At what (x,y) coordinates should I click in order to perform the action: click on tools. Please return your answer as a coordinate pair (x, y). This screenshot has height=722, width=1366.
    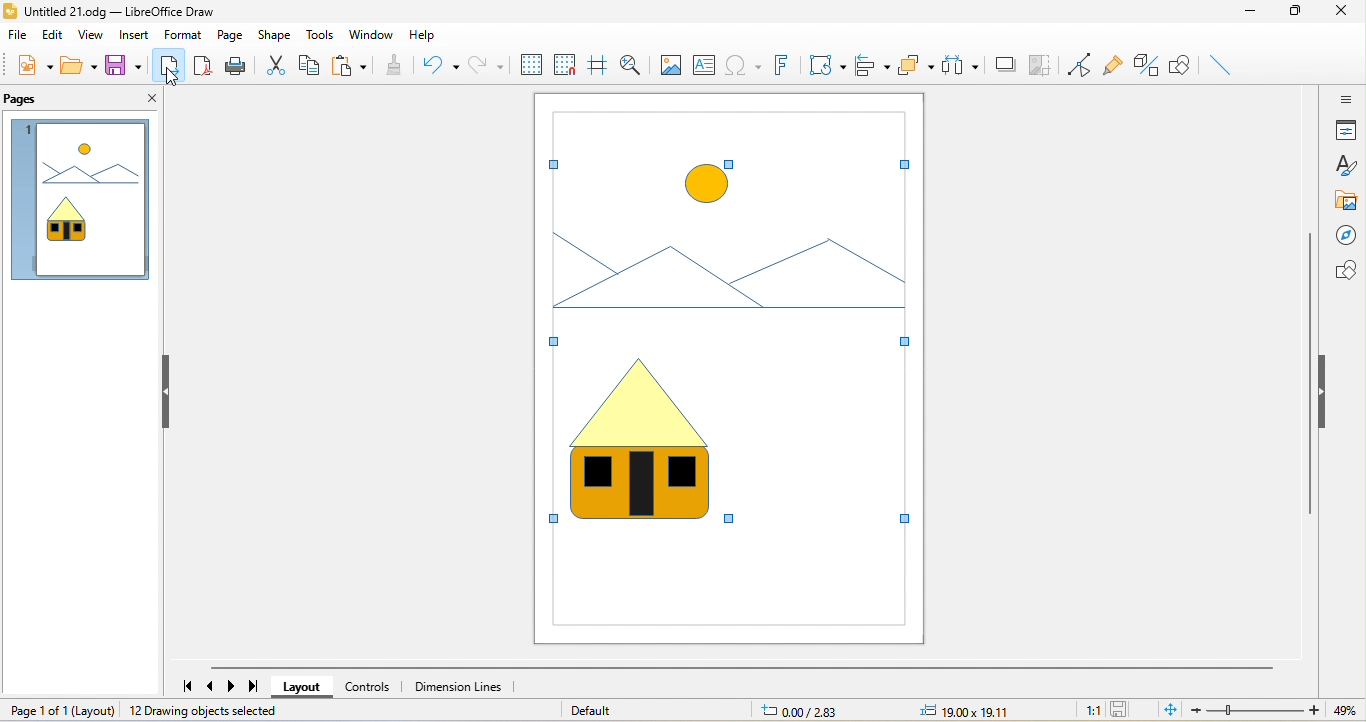
    Looking at the image, I should click on (319, 33).